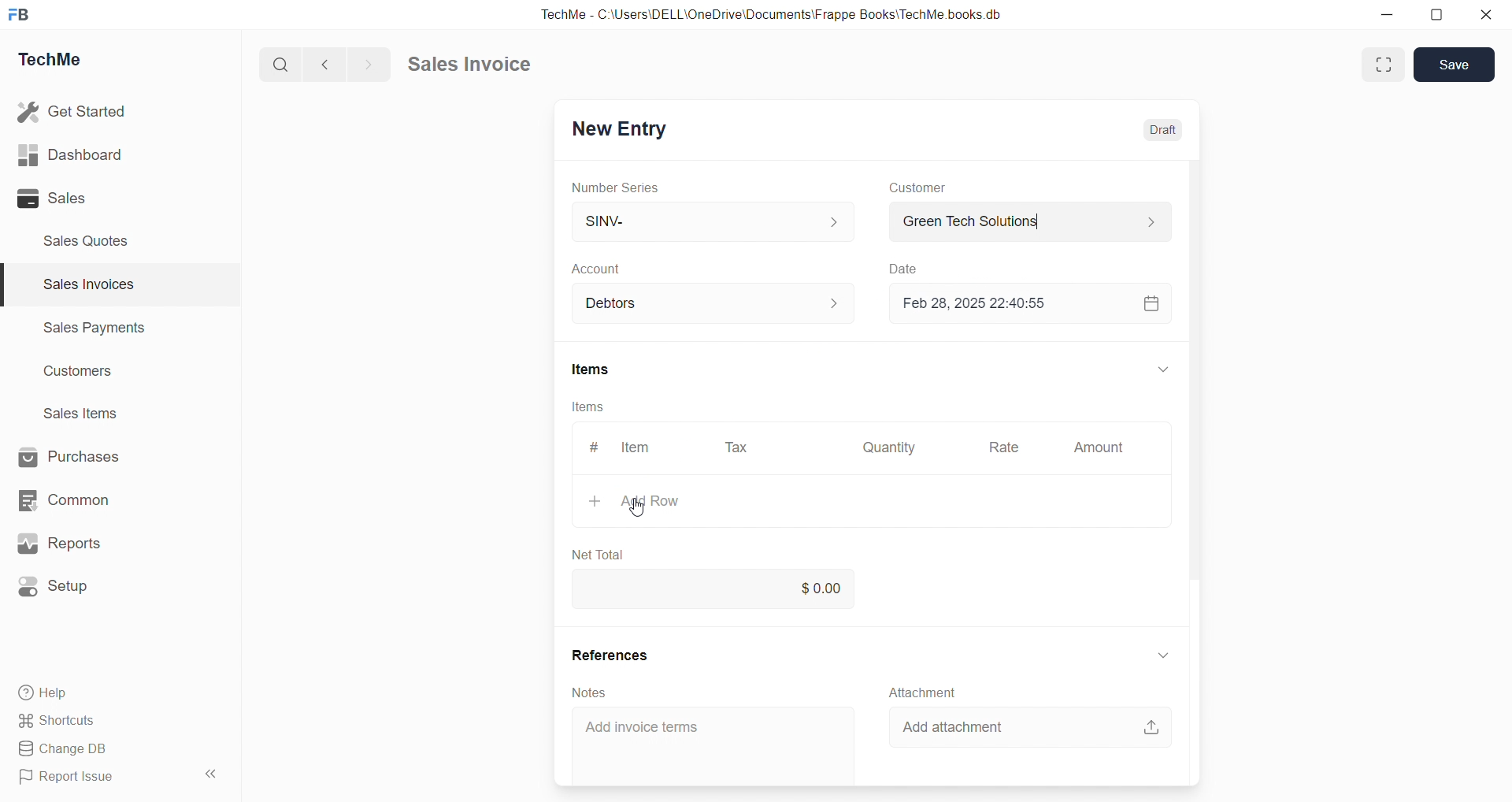  Describe the element at coordinates (321, 64) in the screenshot. I see `back` at that location.